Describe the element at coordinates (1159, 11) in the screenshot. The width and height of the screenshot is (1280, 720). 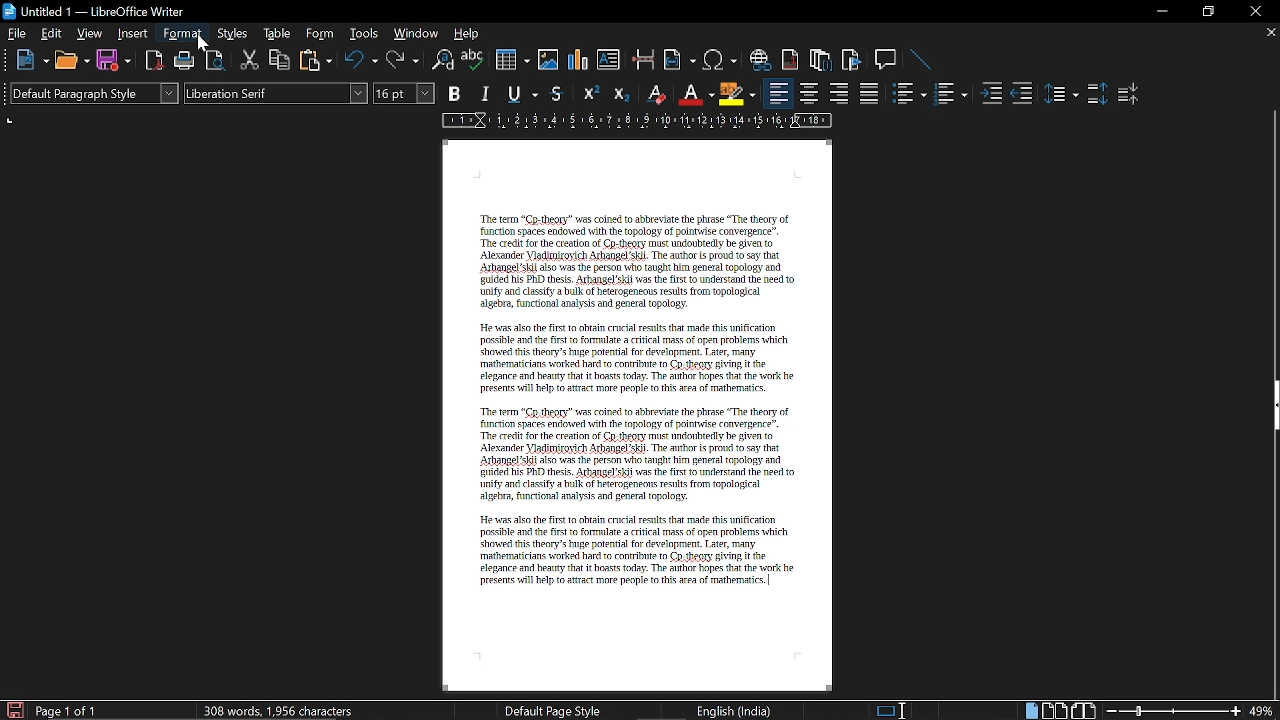
I see `Minimize` at that location.